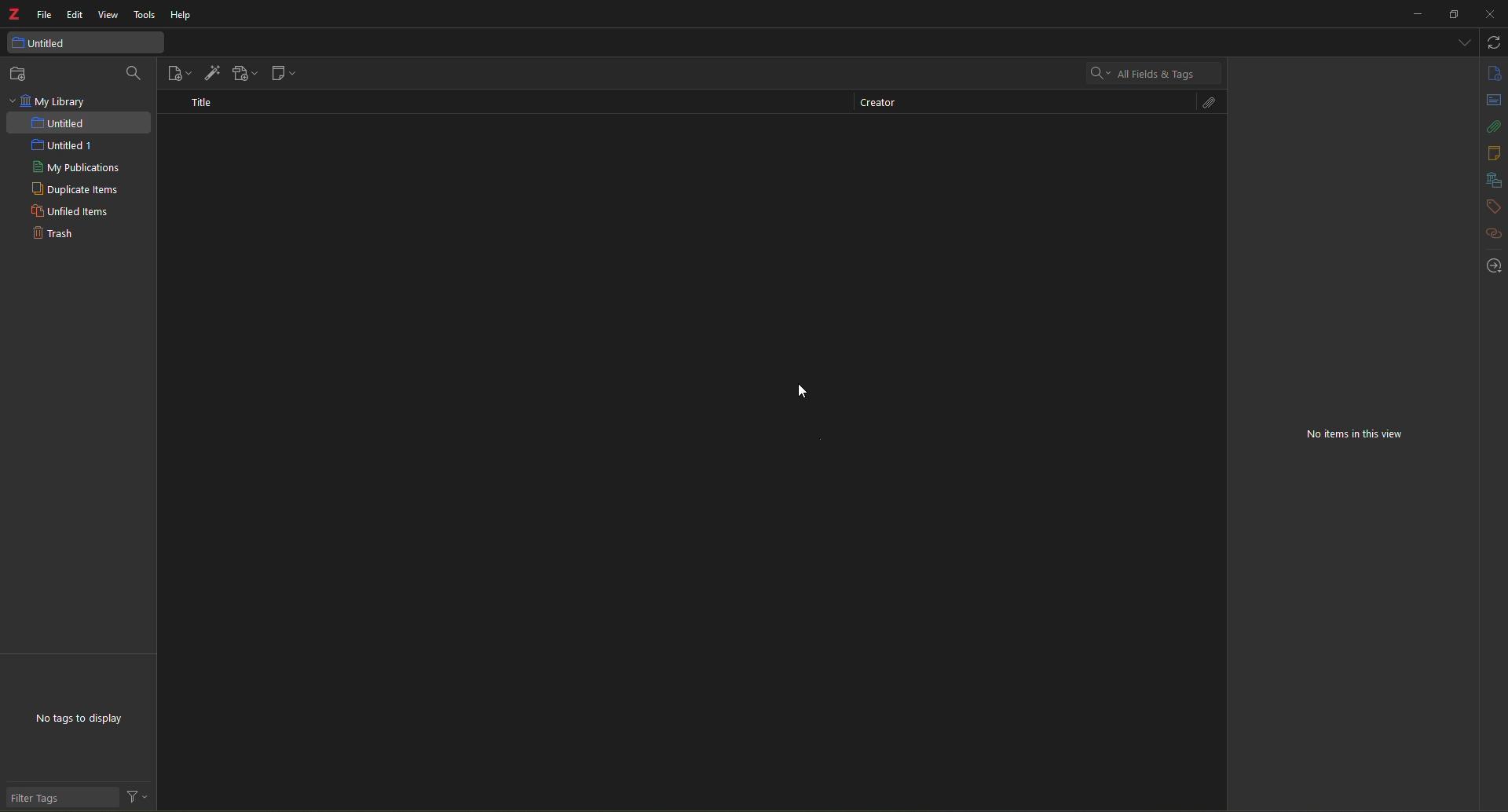  Describe the element at coordinates (1352, 436) in the screenshot. I see `no items in this view` at that location.